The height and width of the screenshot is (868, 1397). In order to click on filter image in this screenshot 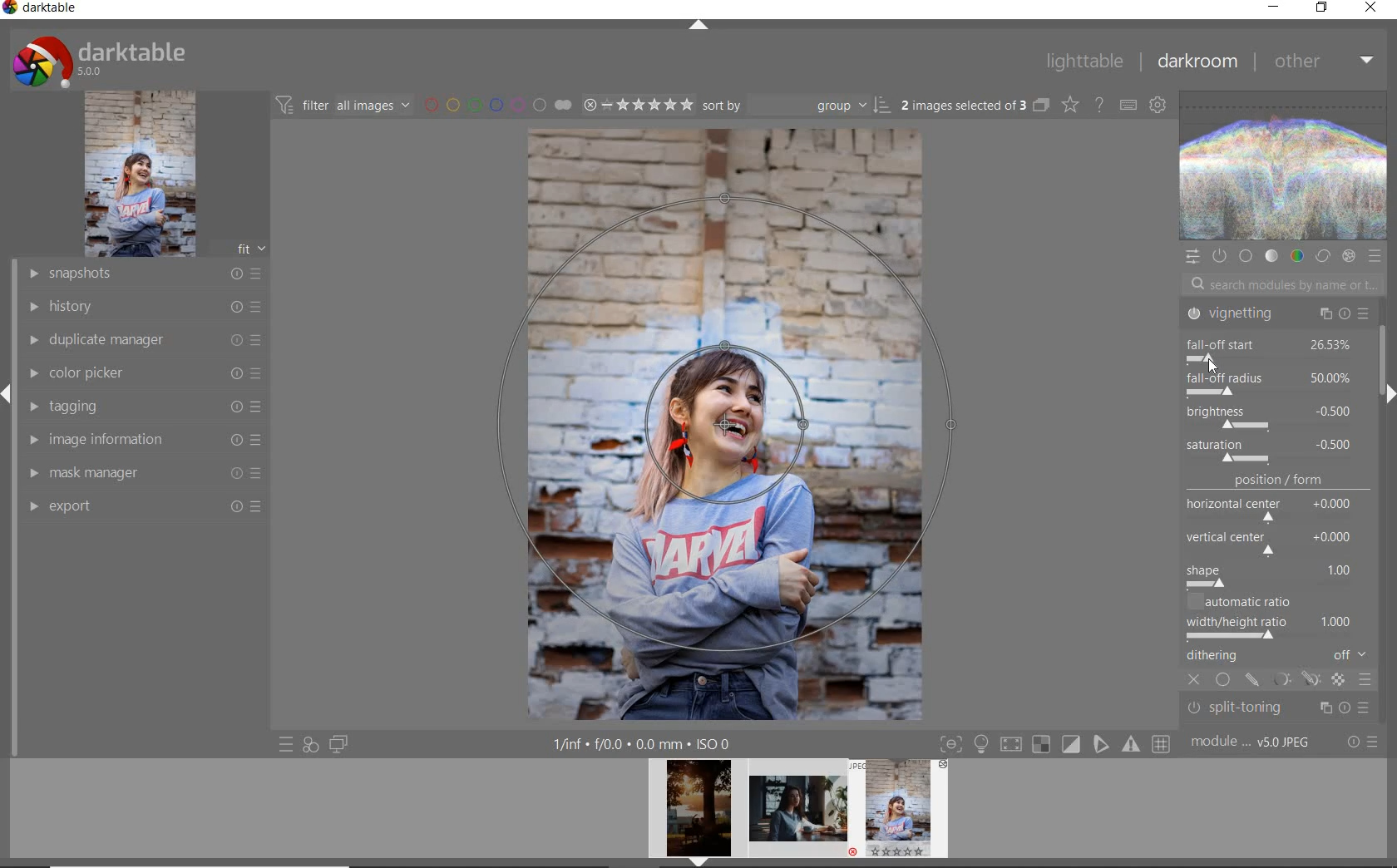, I will do `click(343, 104)`.